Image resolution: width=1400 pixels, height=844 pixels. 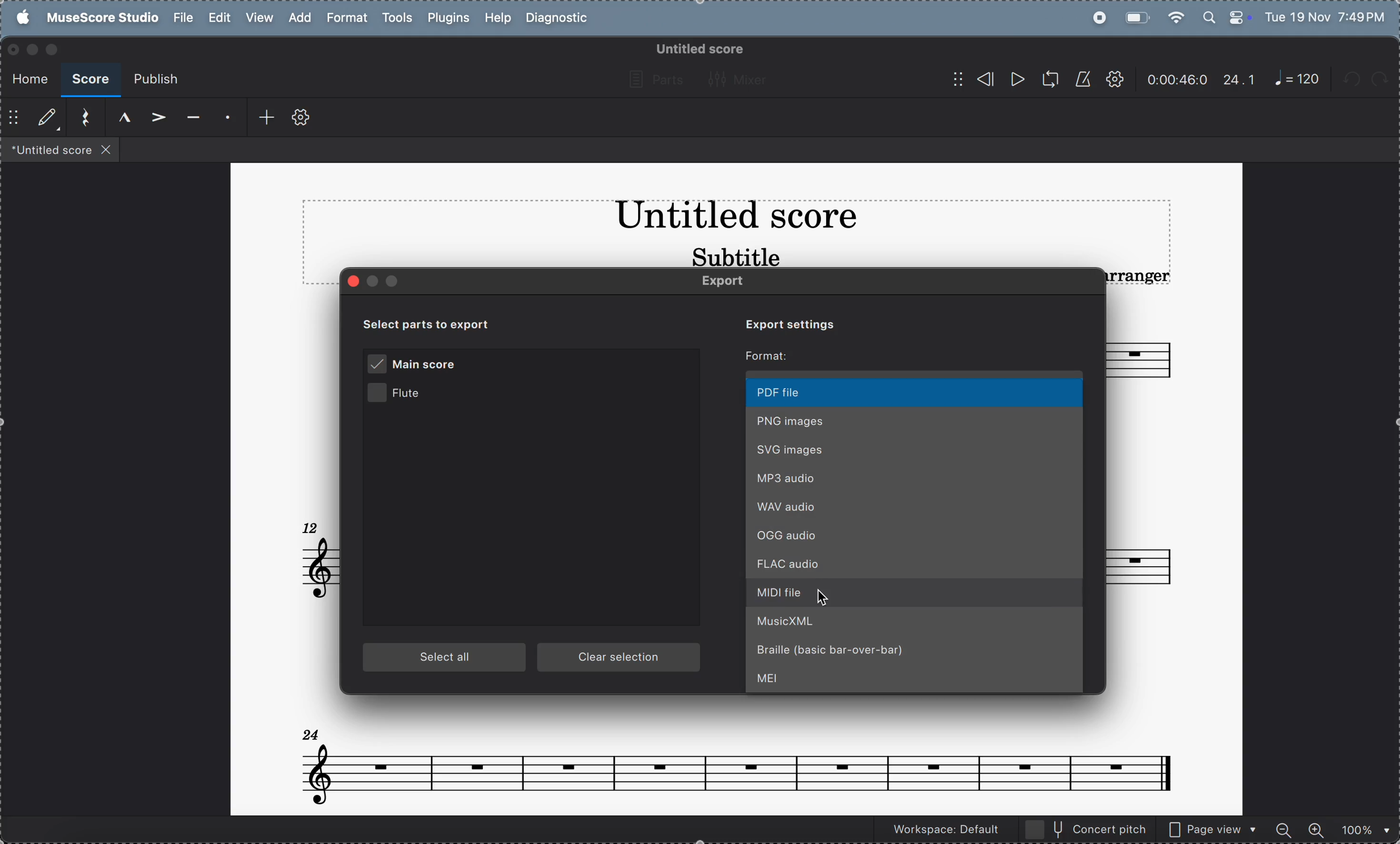 I want to click on title, so click(x=735, y=218).